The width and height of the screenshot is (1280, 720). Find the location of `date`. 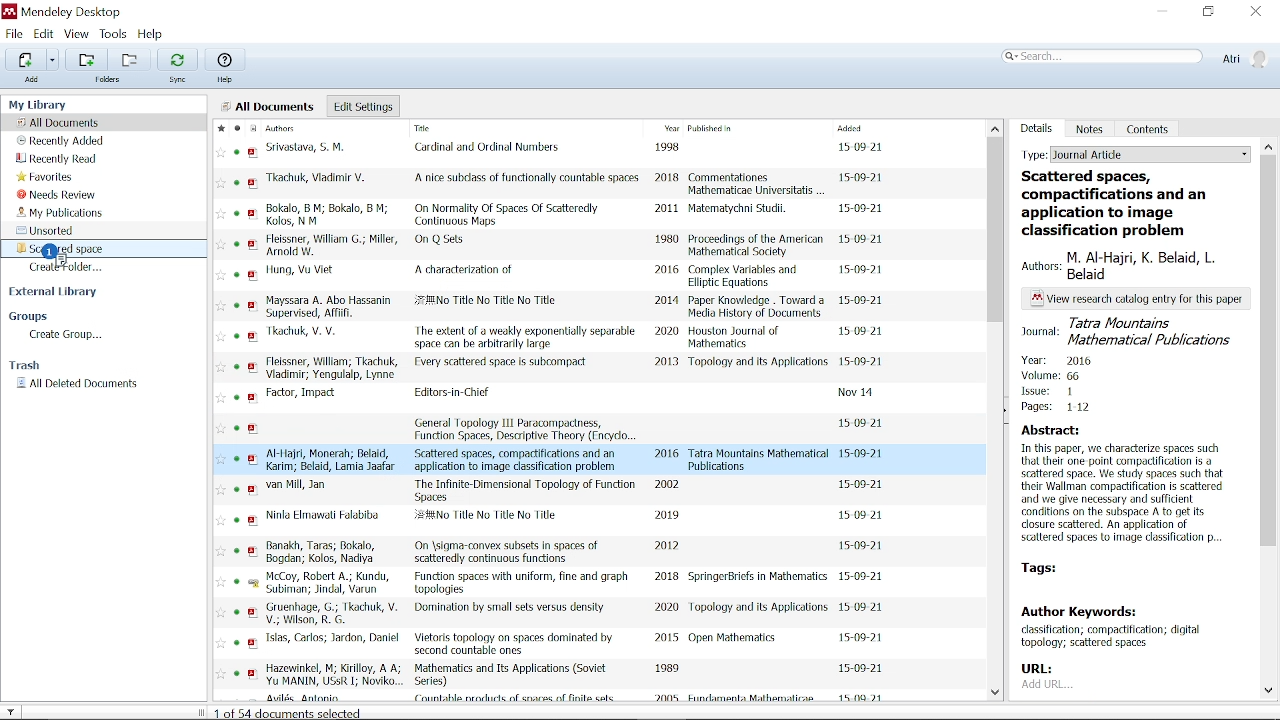

date is located at coordinates (861, 638).